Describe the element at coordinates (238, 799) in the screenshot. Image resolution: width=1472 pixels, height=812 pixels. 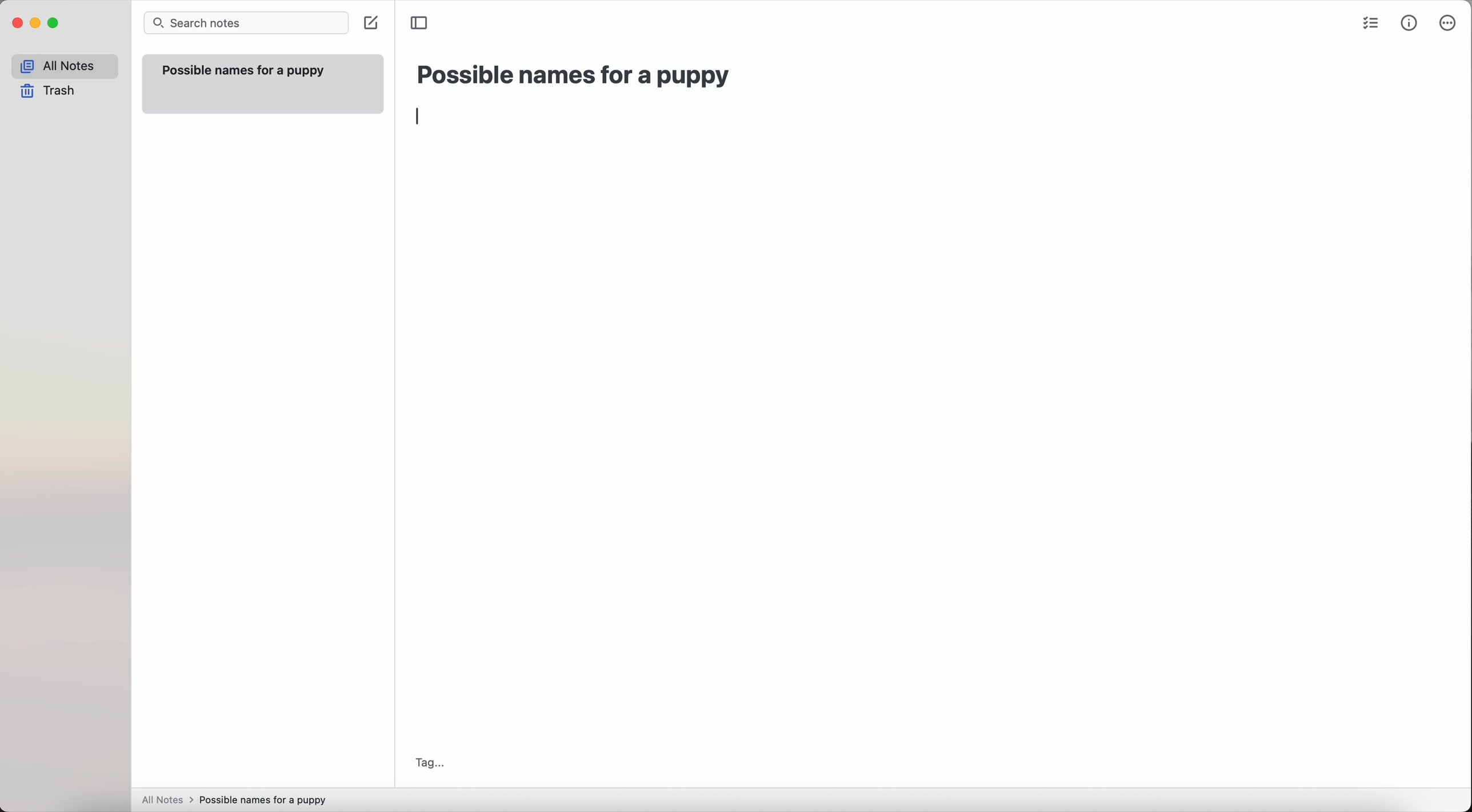
I see `all notes > possible names for a puppy` at that location.